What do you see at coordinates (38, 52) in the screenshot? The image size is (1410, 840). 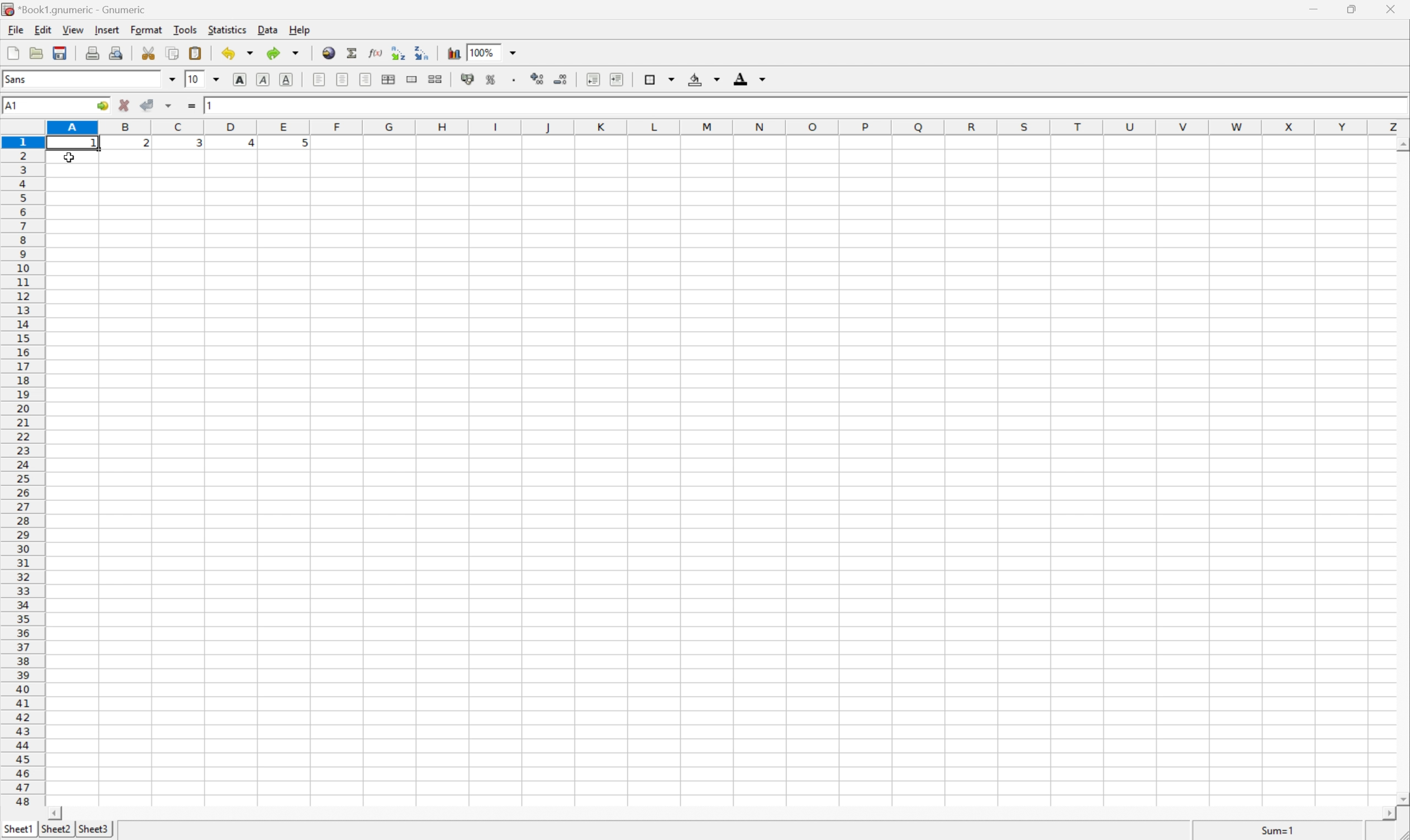 I see `open file` at bounding box center [38, 52].